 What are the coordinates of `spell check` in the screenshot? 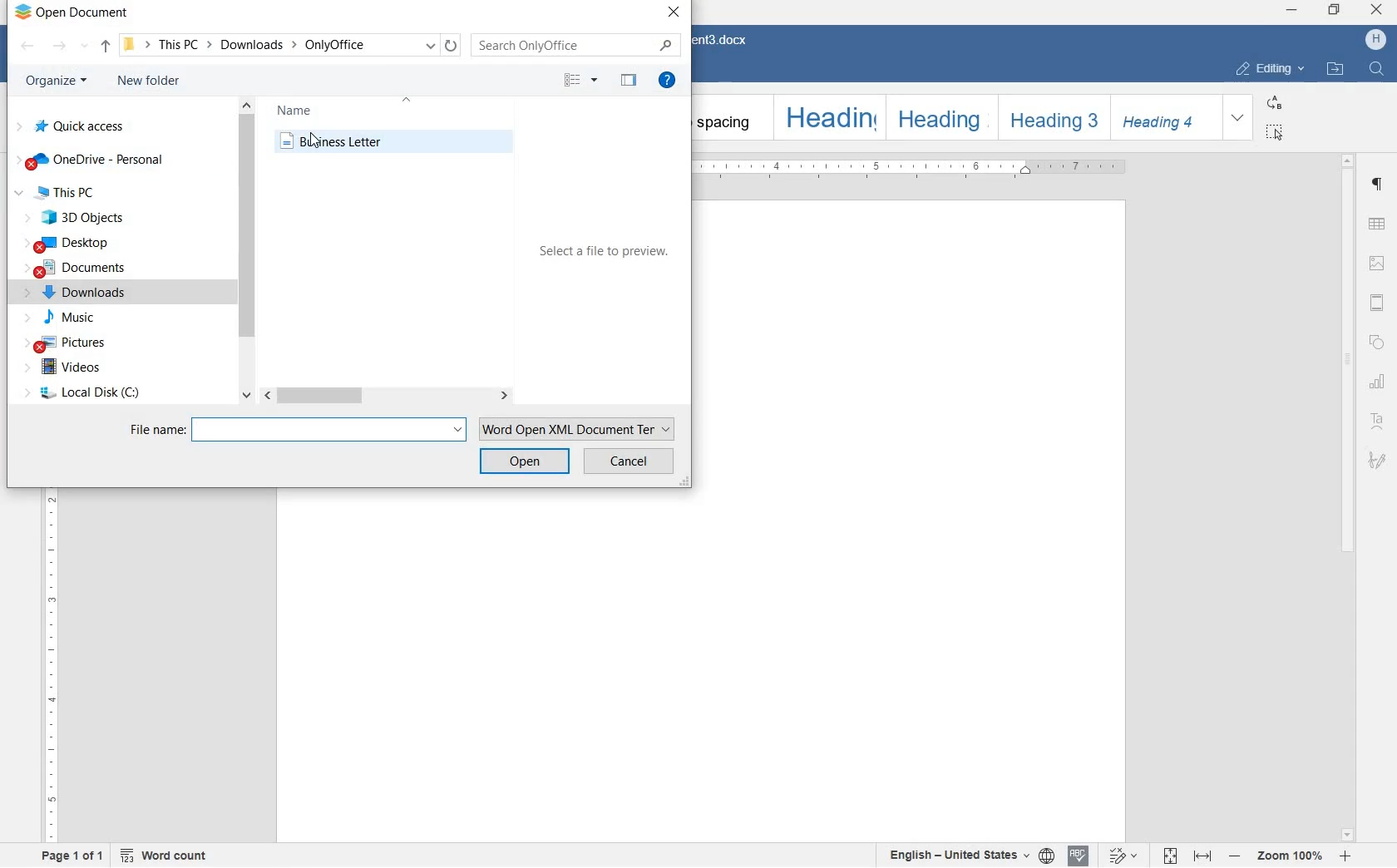 It's located at (1079, 854).